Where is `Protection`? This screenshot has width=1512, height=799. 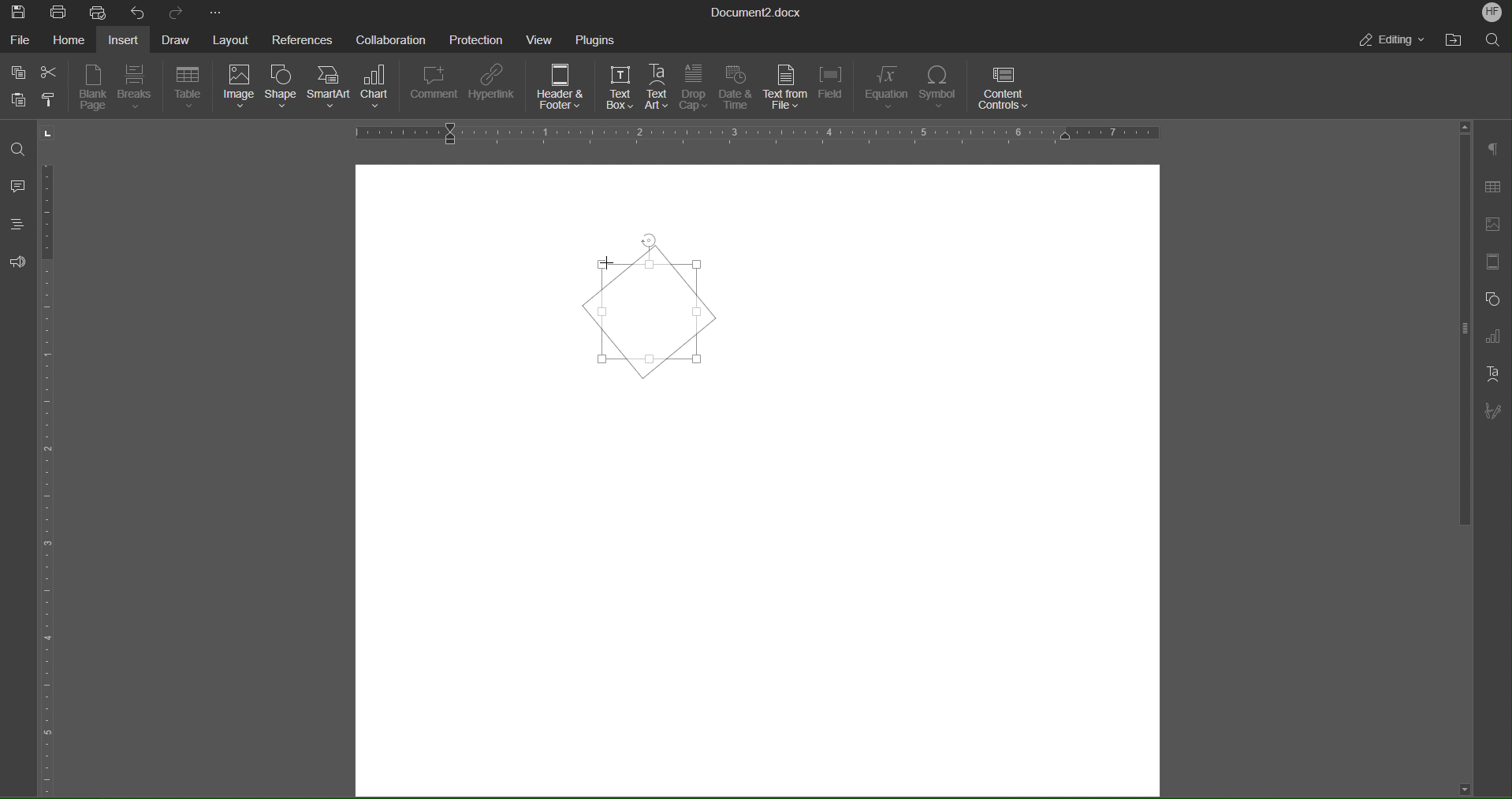
Protection is located at coordinates (477, 38).